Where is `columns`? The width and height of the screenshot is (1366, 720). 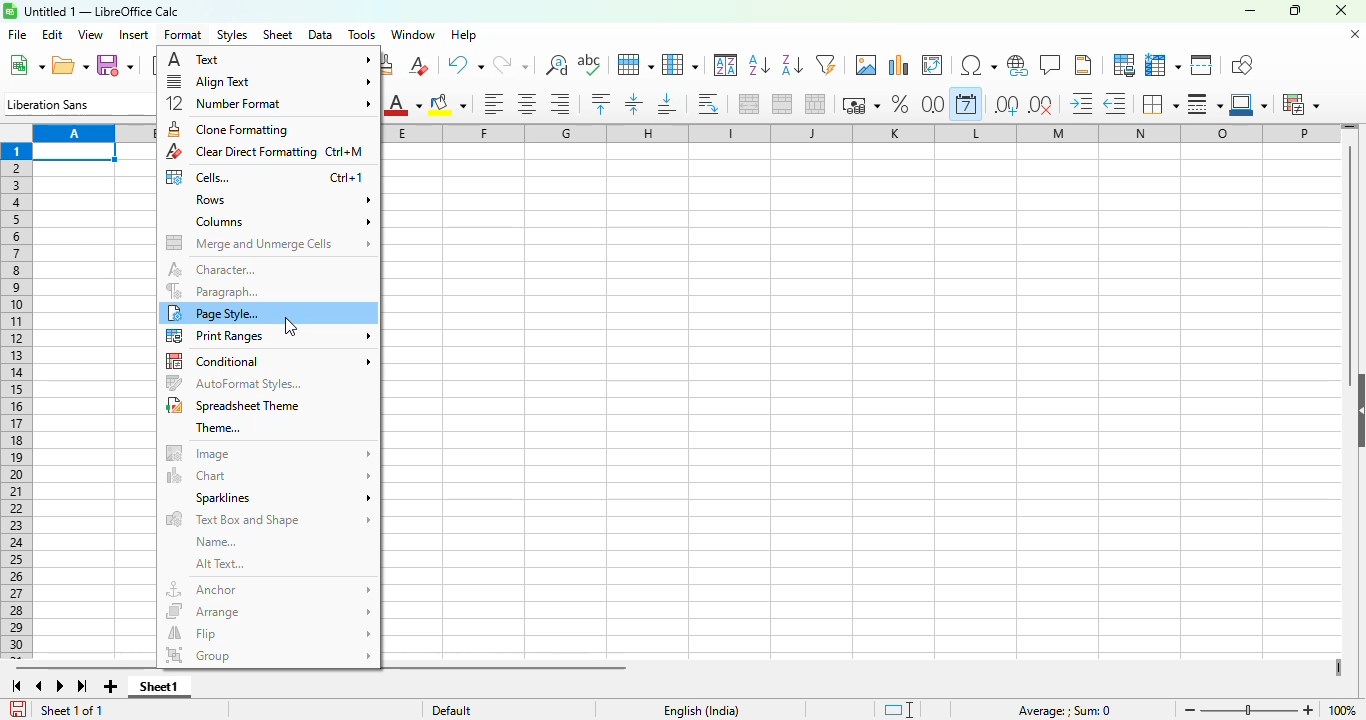
columns is located at coordinates (282, 221).